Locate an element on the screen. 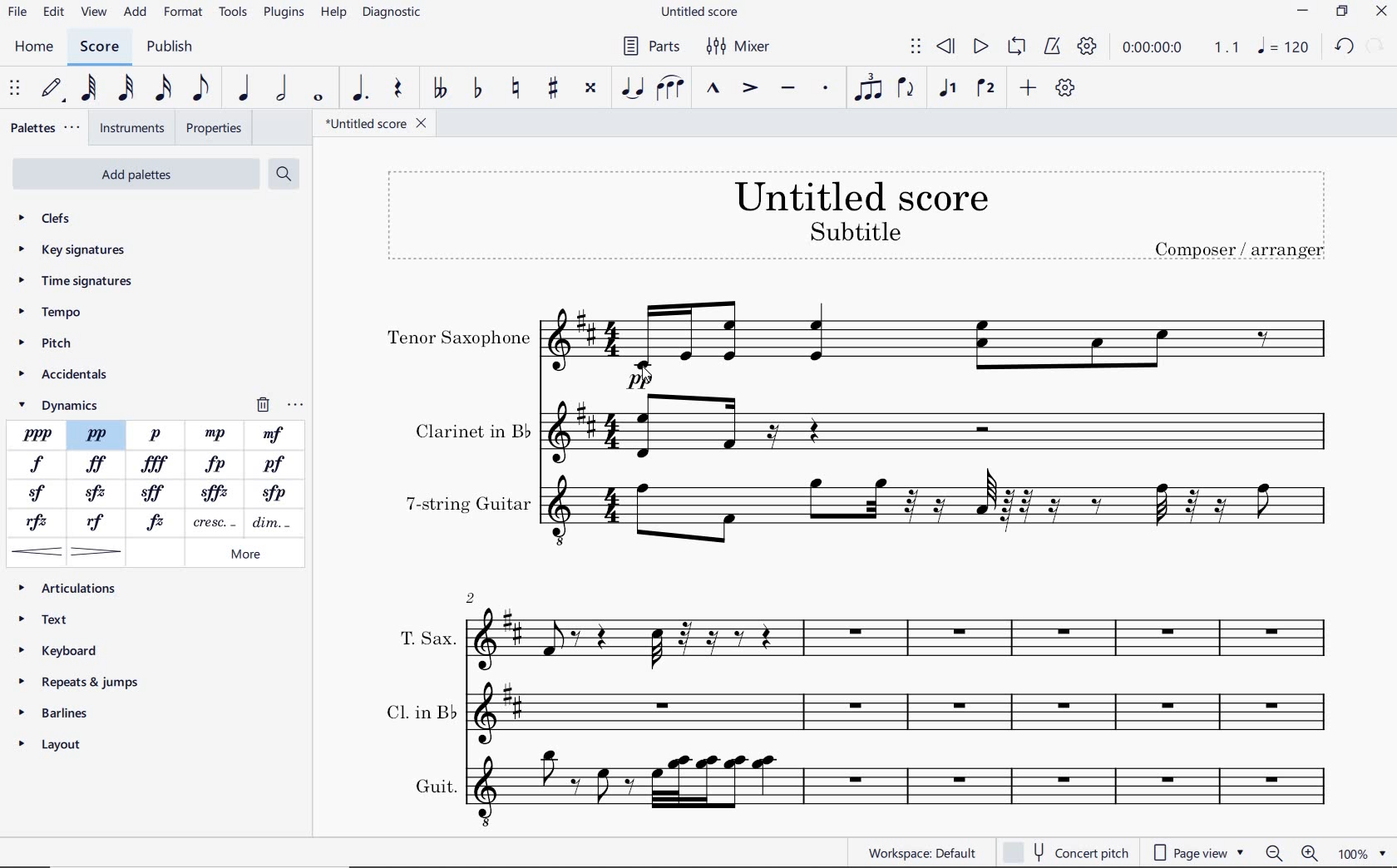 This screenshot has height=868, width=1397. RF(RINFORZANDO) is located at coordinates (97, 522).